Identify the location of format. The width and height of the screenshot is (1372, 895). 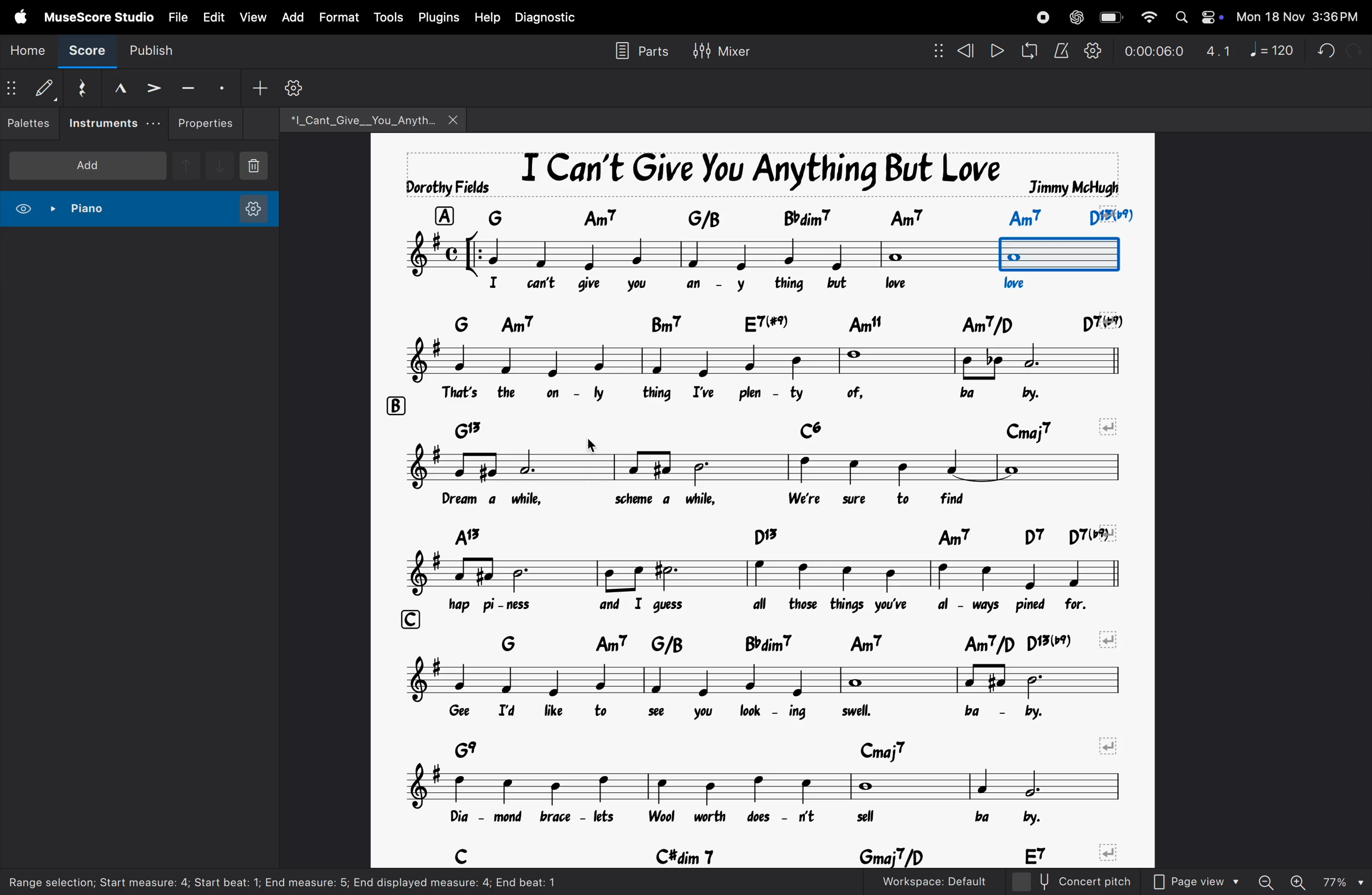
(339, 18).